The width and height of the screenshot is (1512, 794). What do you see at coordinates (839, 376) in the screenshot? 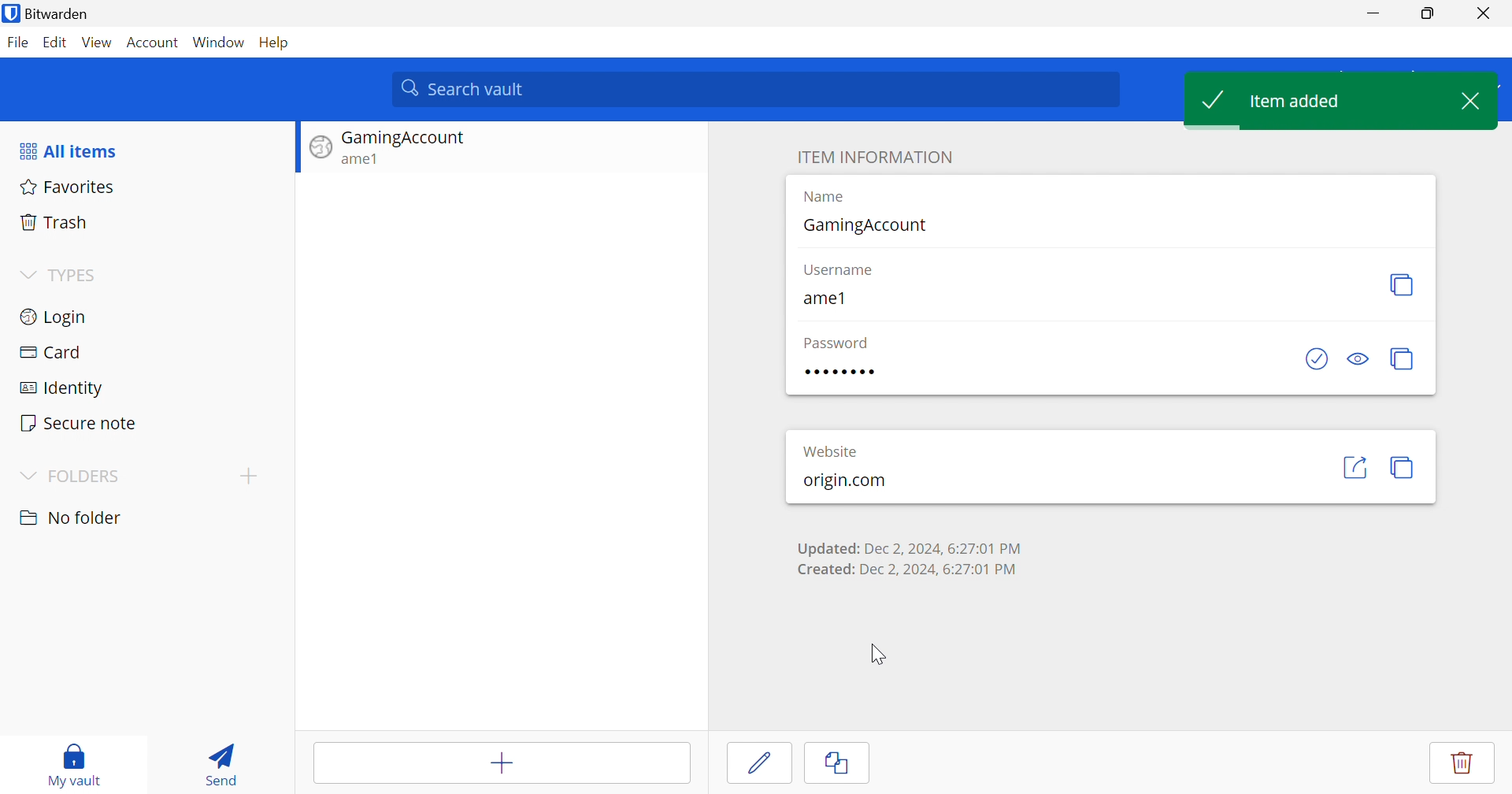
I see `Password` at bounding box center [839, 376].